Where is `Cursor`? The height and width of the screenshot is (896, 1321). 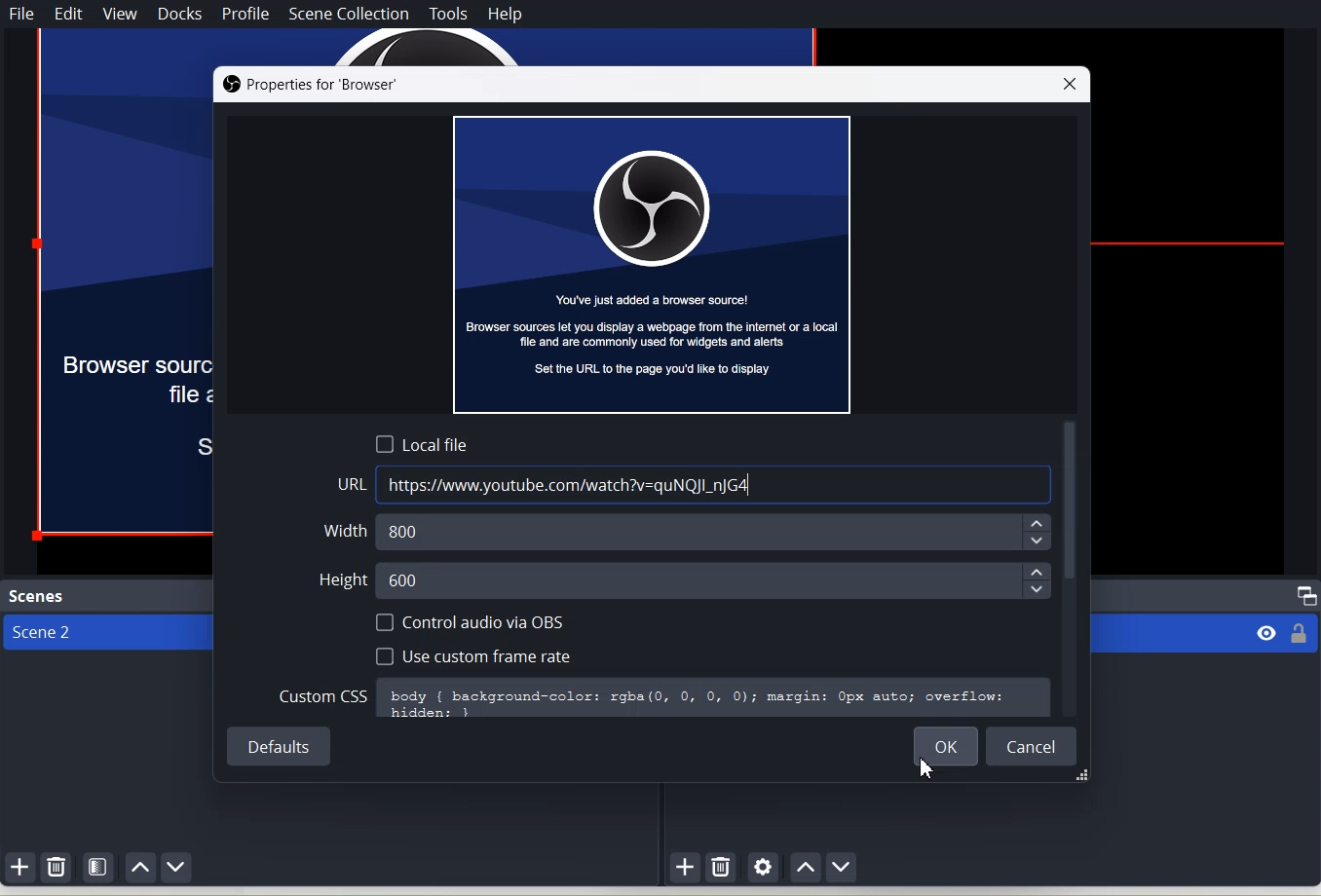 Cursor is located at coordinates (926, 766).